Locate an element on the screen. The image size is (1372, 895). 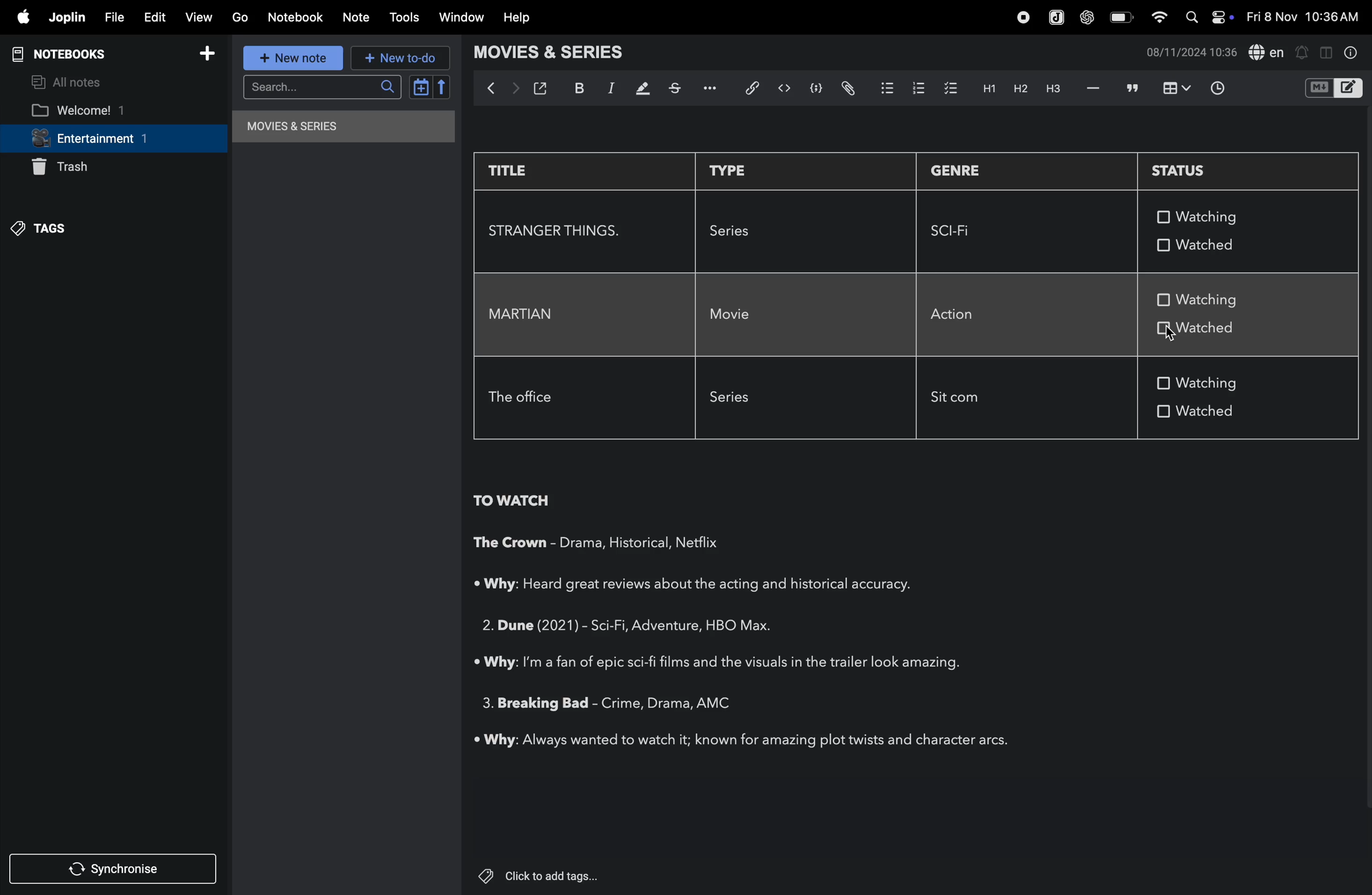
view is located at coordinates (200, 18).